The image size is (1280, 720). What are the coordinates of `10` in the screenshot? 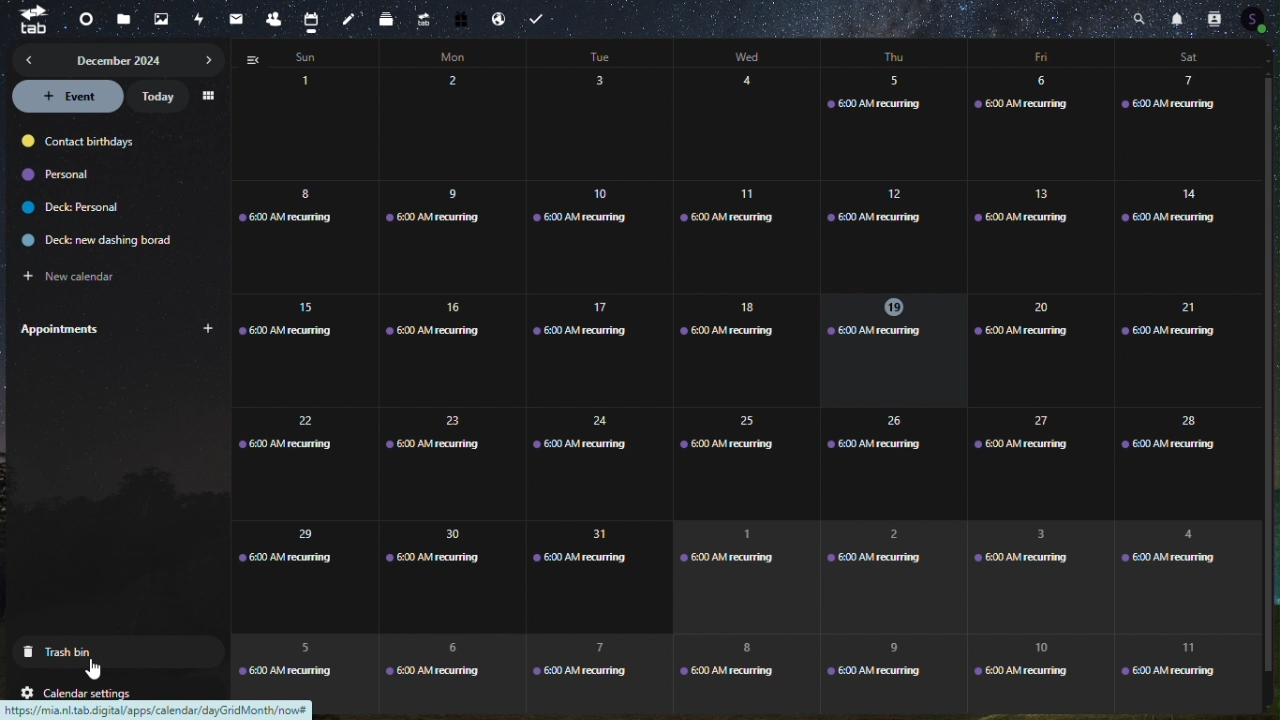 It's located at (1034, 673).